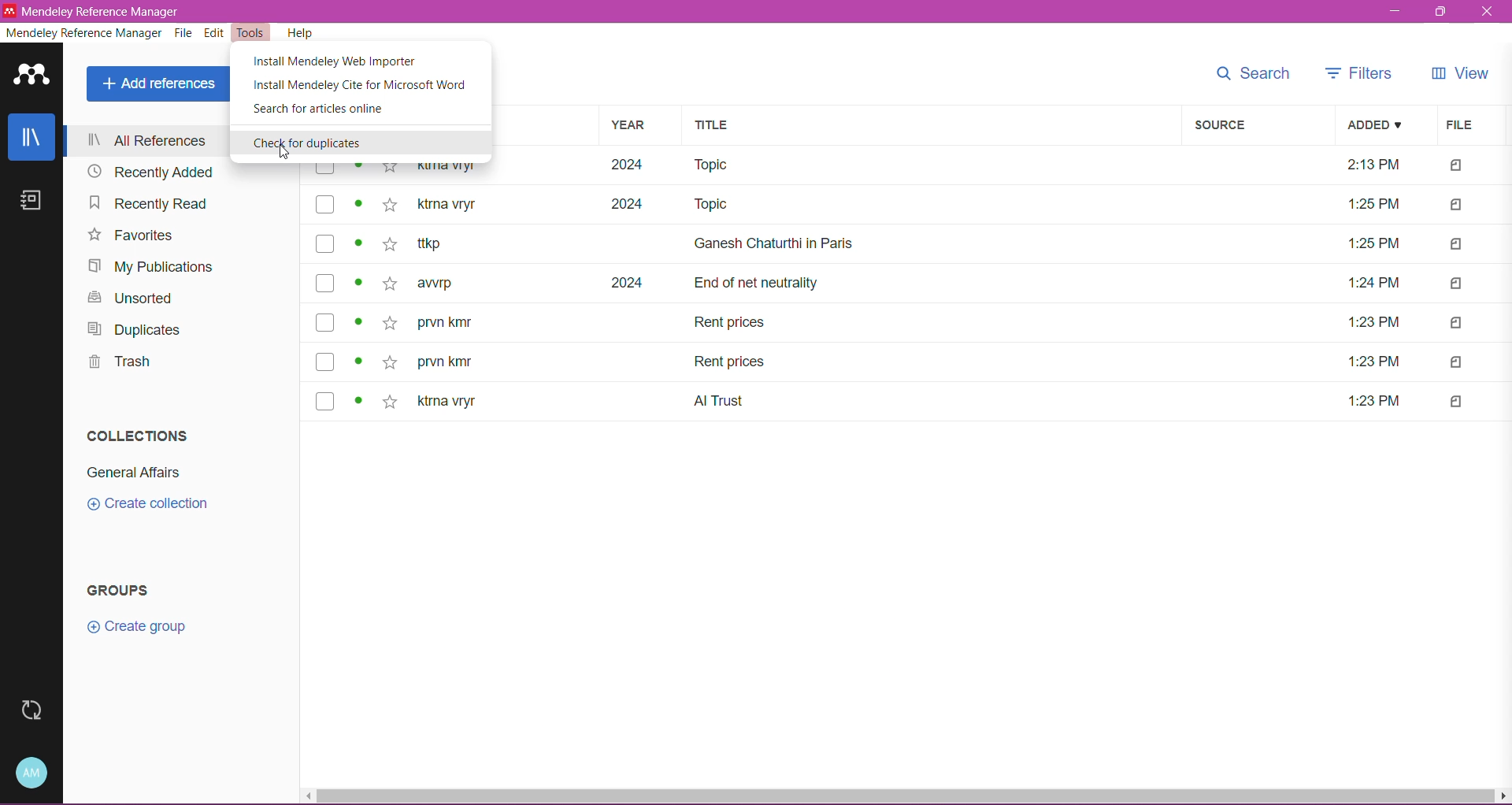 This screenshot has height=805, width=1512. Describe the element at coordinates (1458, 165) in the screenshot. I see `file` at that location.